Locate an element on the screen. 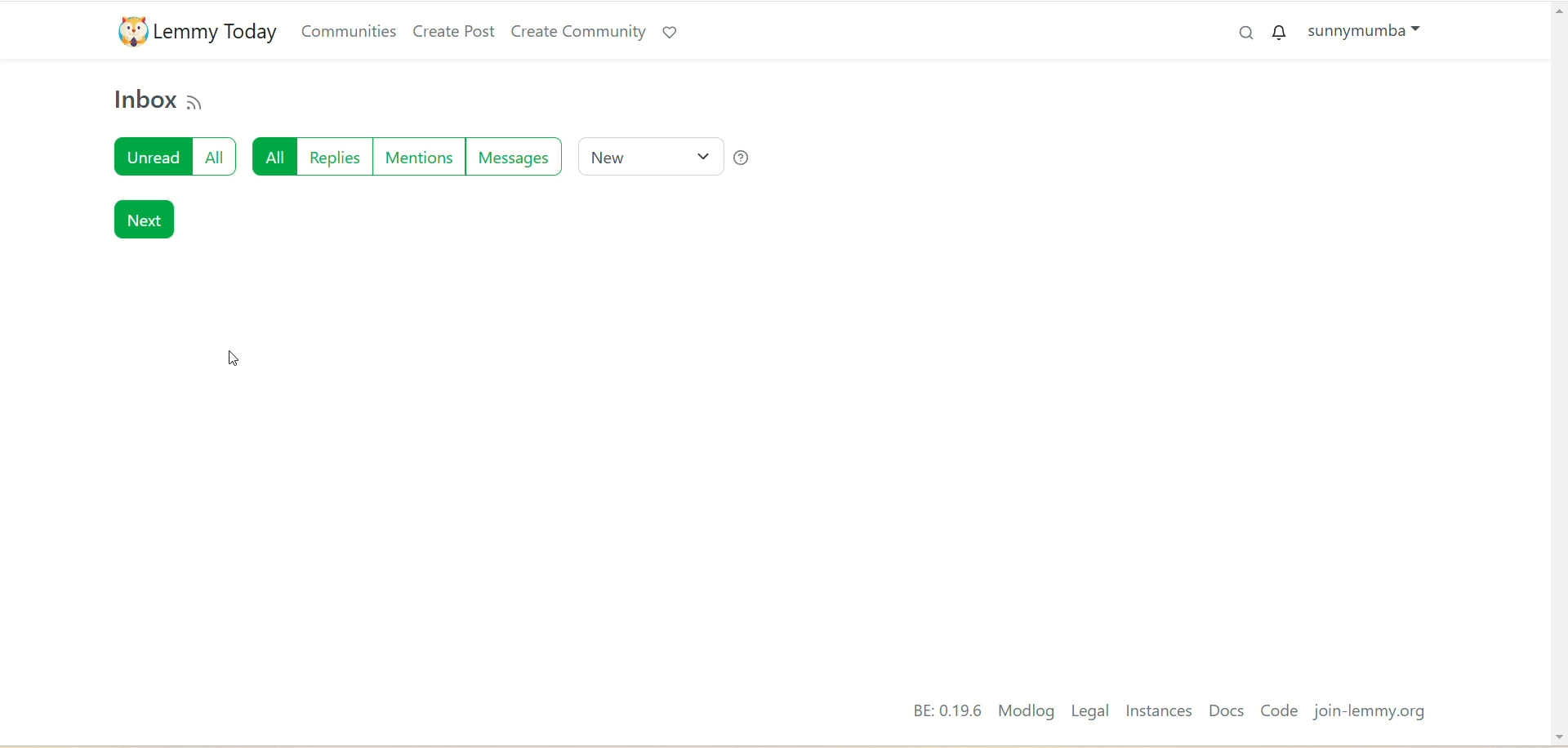 The width and height of the screenshot is (1568, 748). help is located at coordinates (755, 157).